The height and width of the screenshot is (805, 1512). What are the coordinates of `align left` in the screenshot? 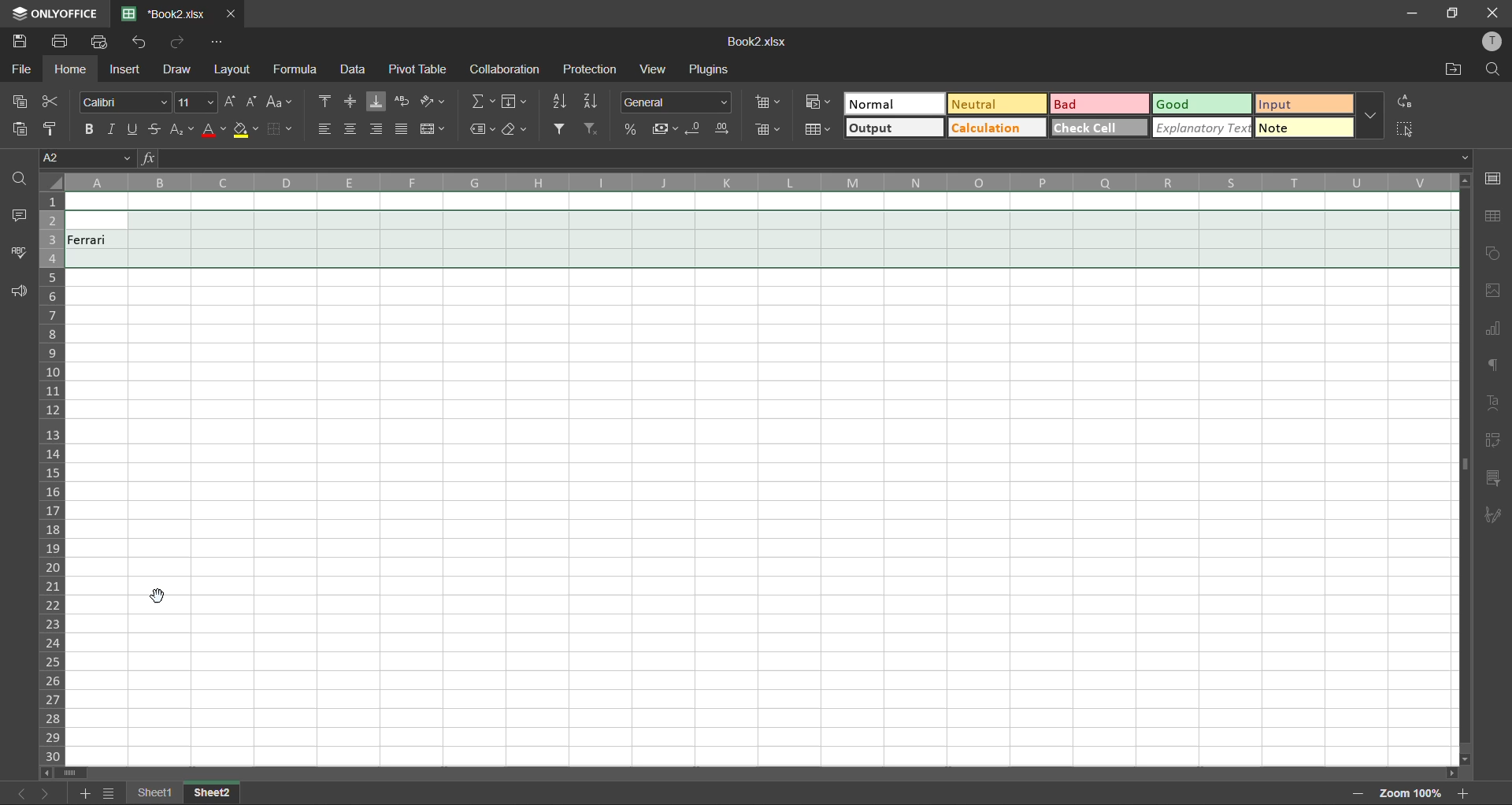 It's located at (328, 128).